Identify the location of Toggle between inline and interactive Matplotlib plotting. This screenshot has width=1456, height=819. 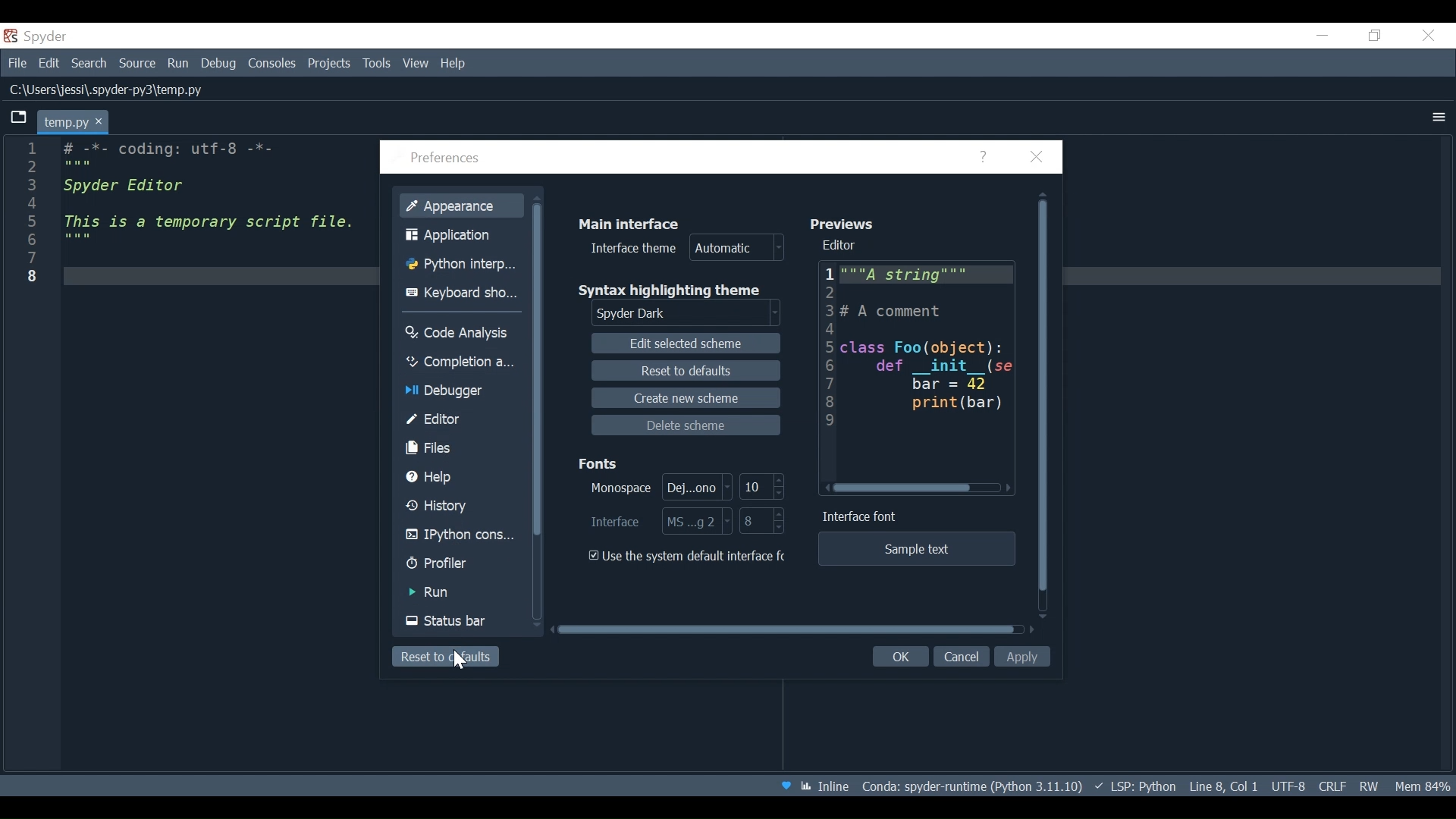
(827, 786).